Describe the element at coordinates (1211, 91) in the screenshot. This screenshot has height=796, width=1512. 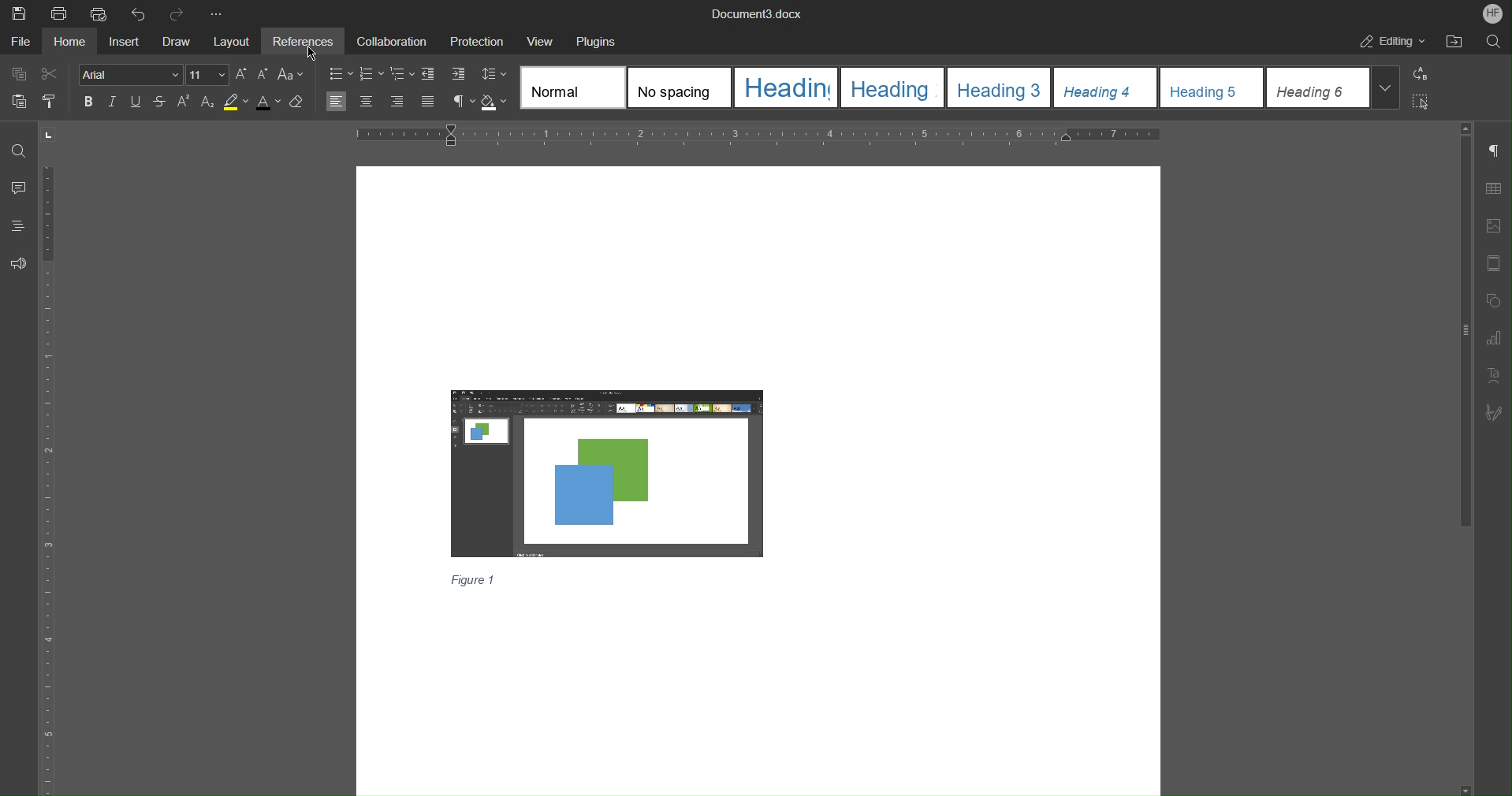
I see `Heading 5` at that location.